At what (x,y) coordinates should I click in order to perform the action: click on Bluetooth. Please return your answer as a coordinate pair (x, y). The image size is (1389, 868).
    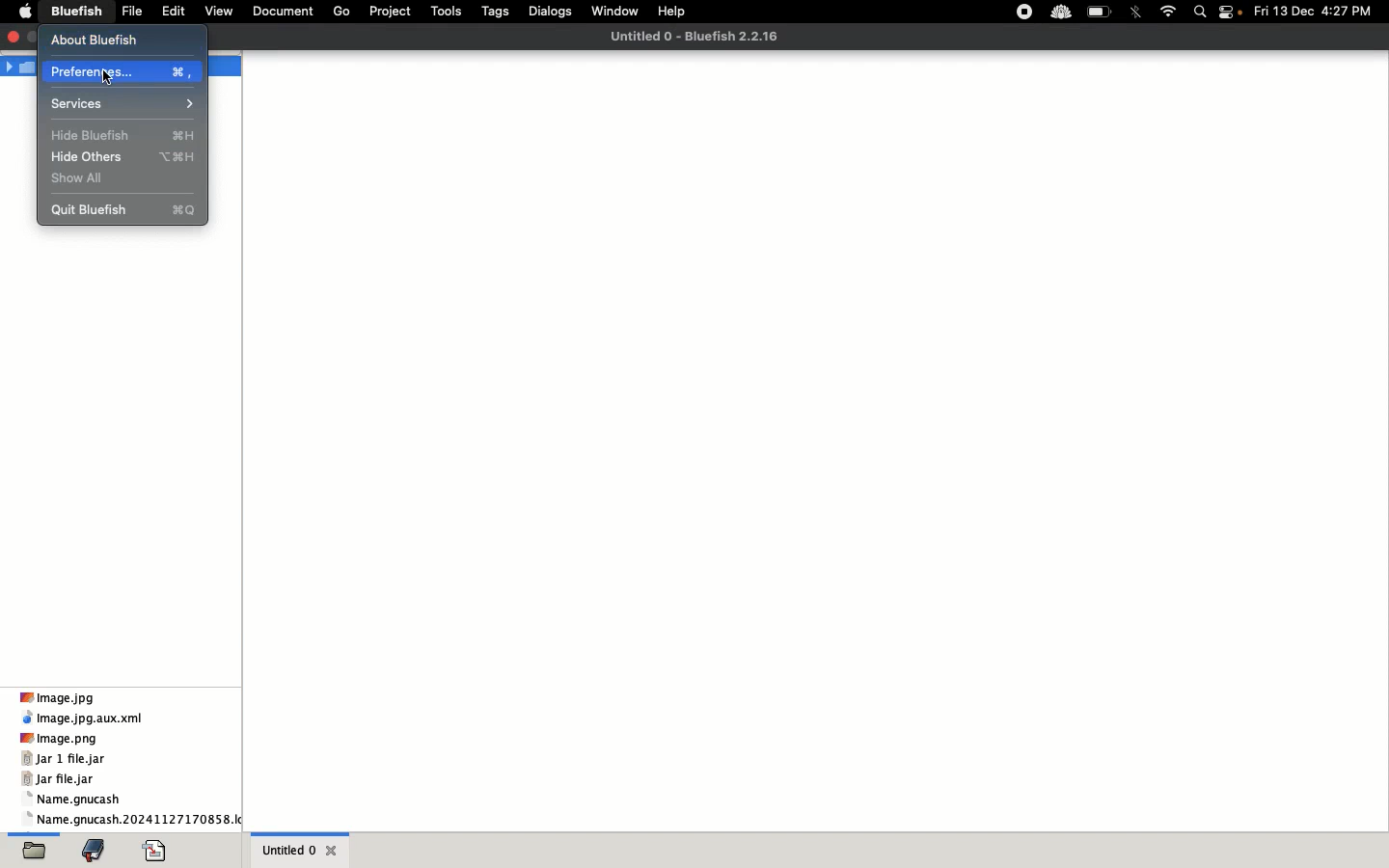
    Looking at the image, I should click on (1135, 14).